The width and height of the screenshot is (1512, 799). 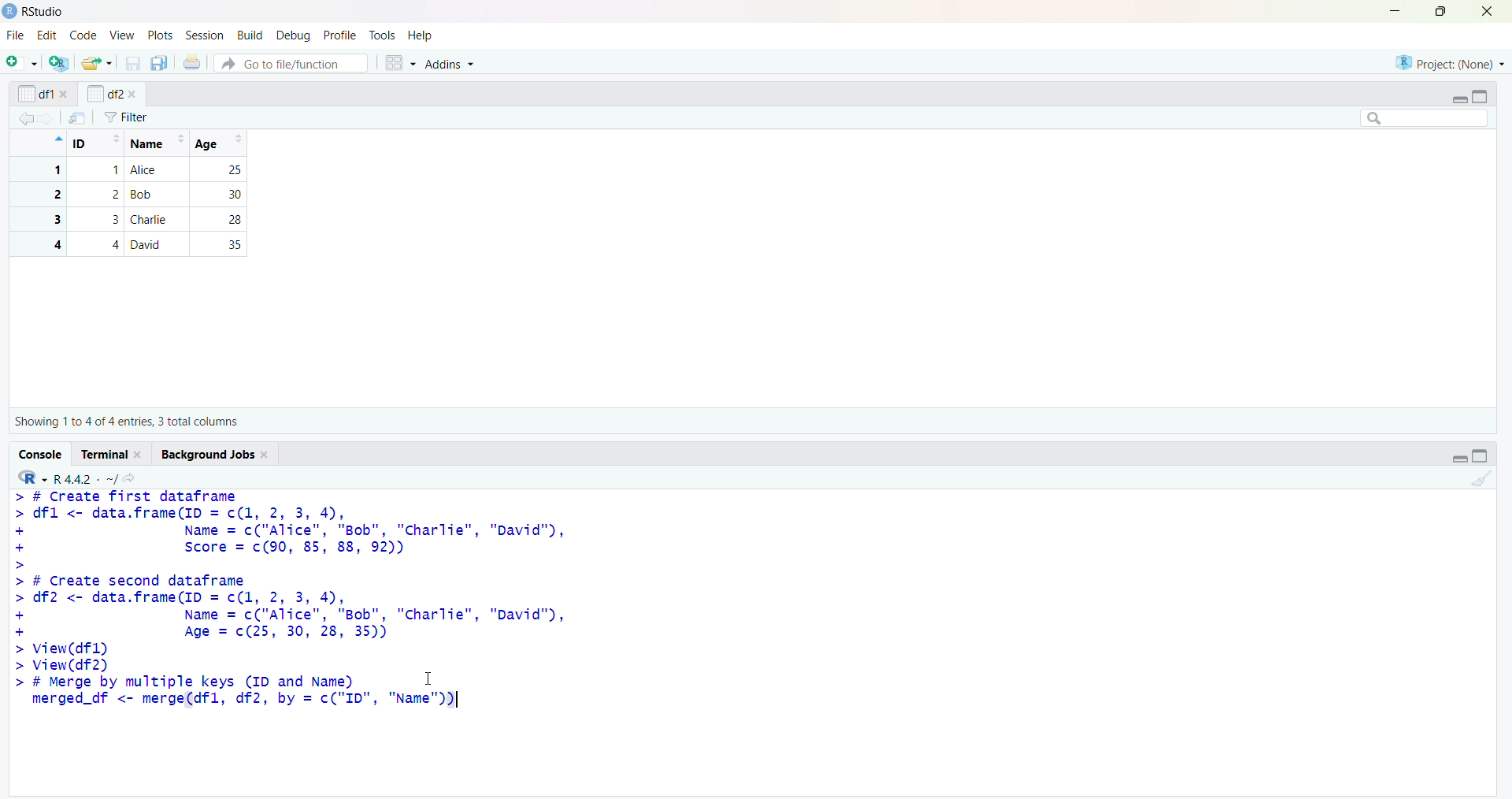 I want to click on Addins , so click(x=448, y=63).